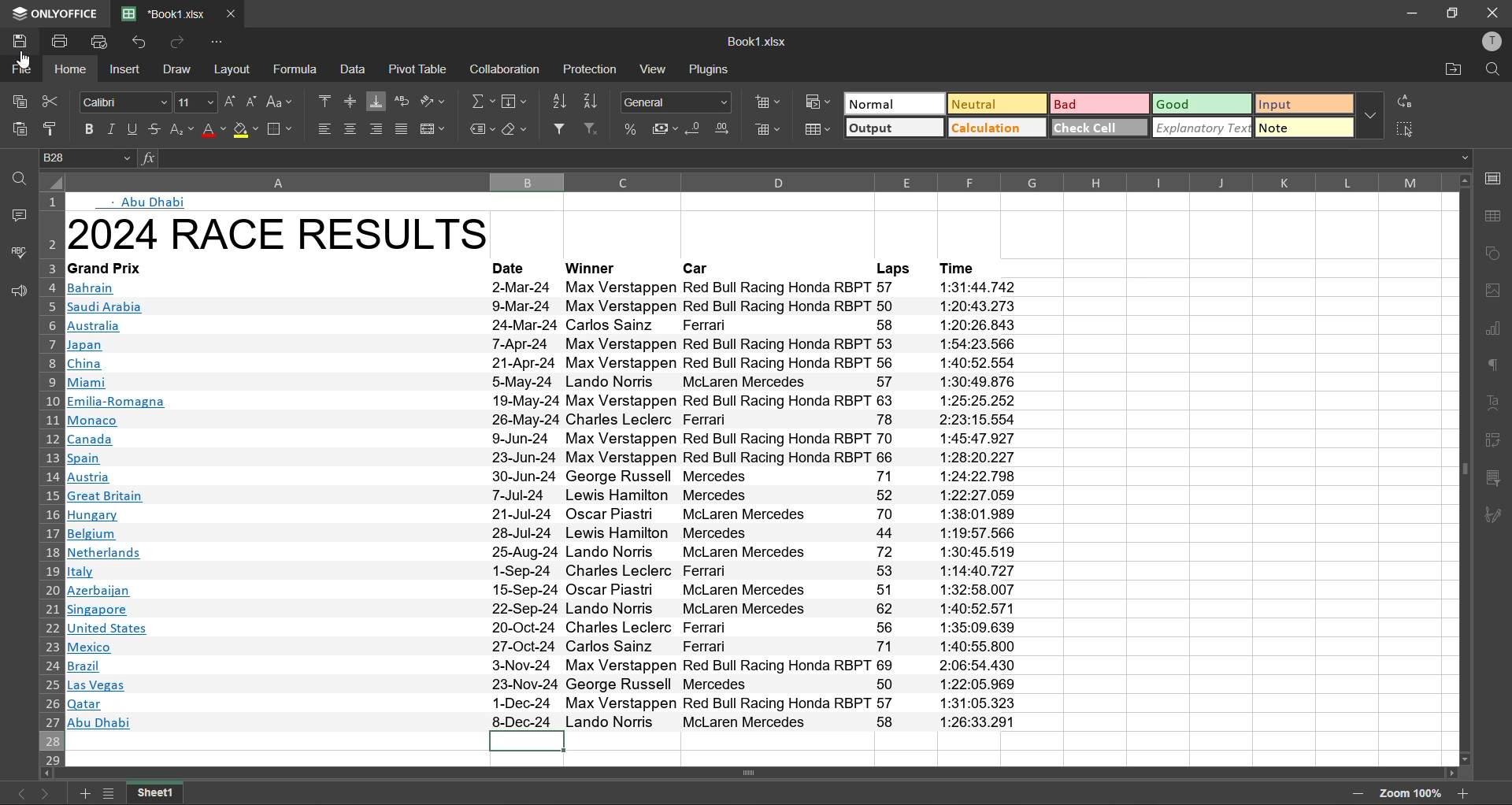 This screenshot has width=1512, height=805. I want to click on insert, so click(127, 71).